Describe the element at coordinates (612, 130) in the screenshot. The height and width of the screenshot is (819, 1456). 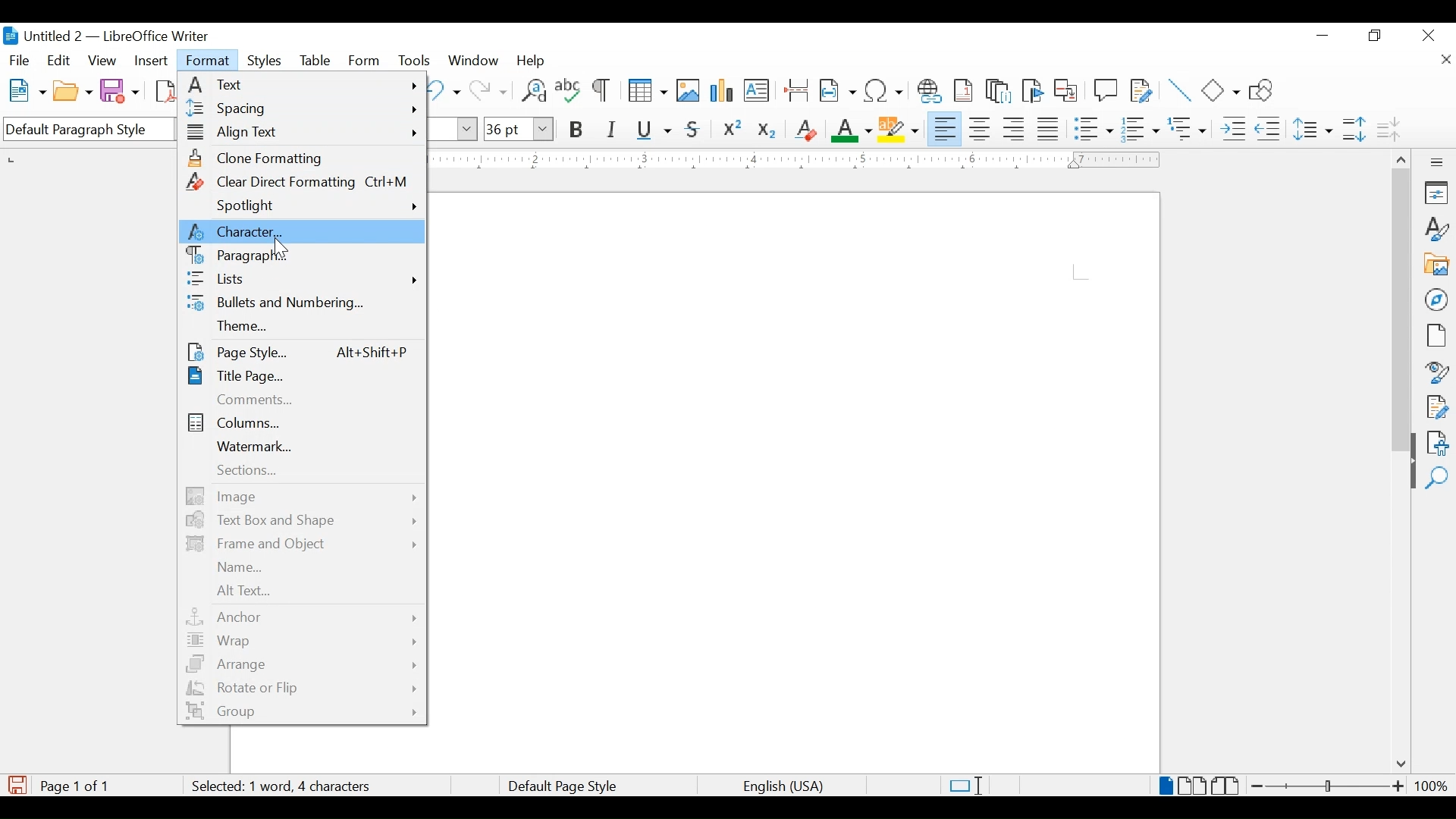
I see `italic` at that location.